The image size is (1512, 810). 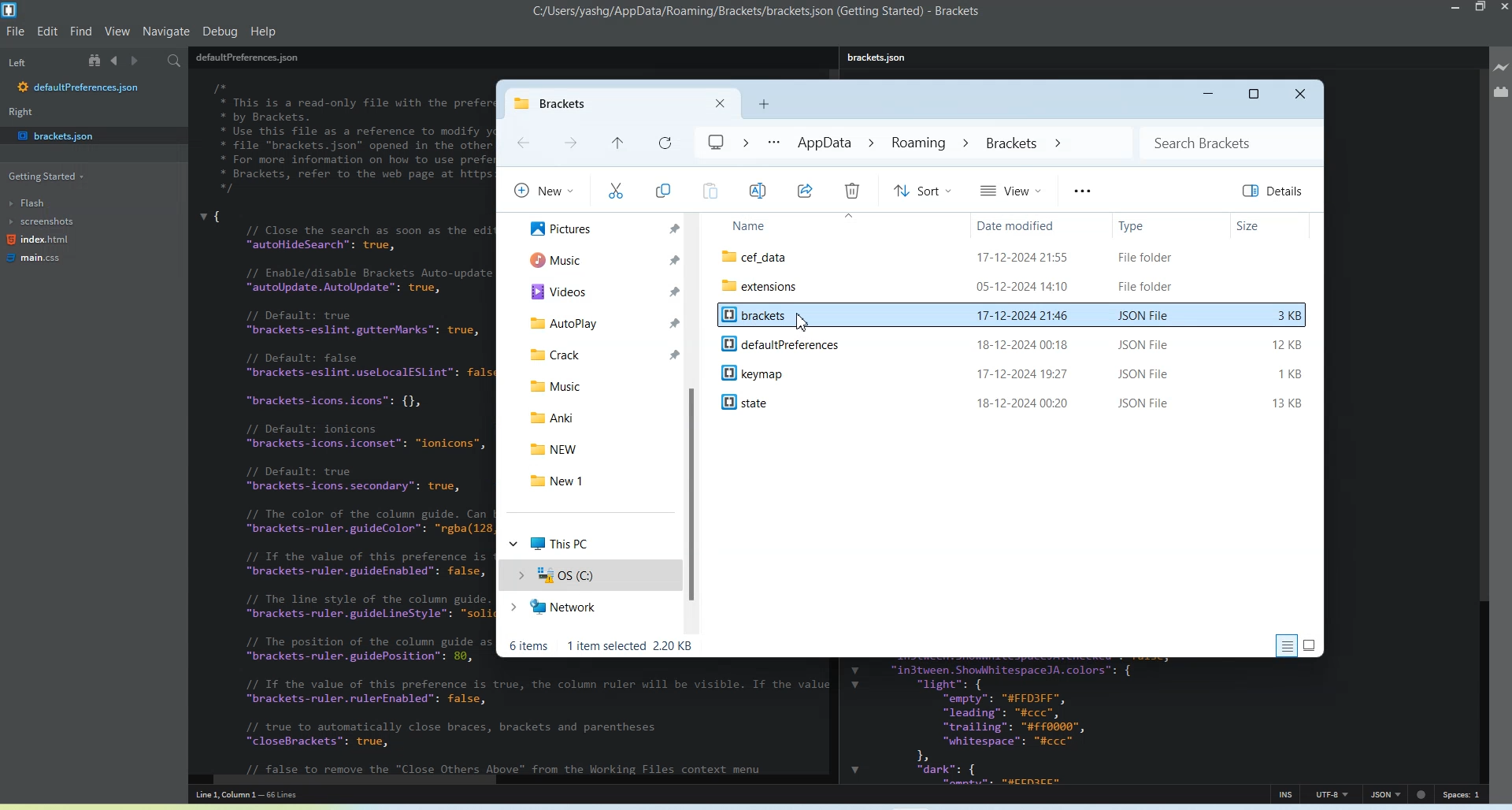 I want to click on Debug, so click(x=220, y=30).